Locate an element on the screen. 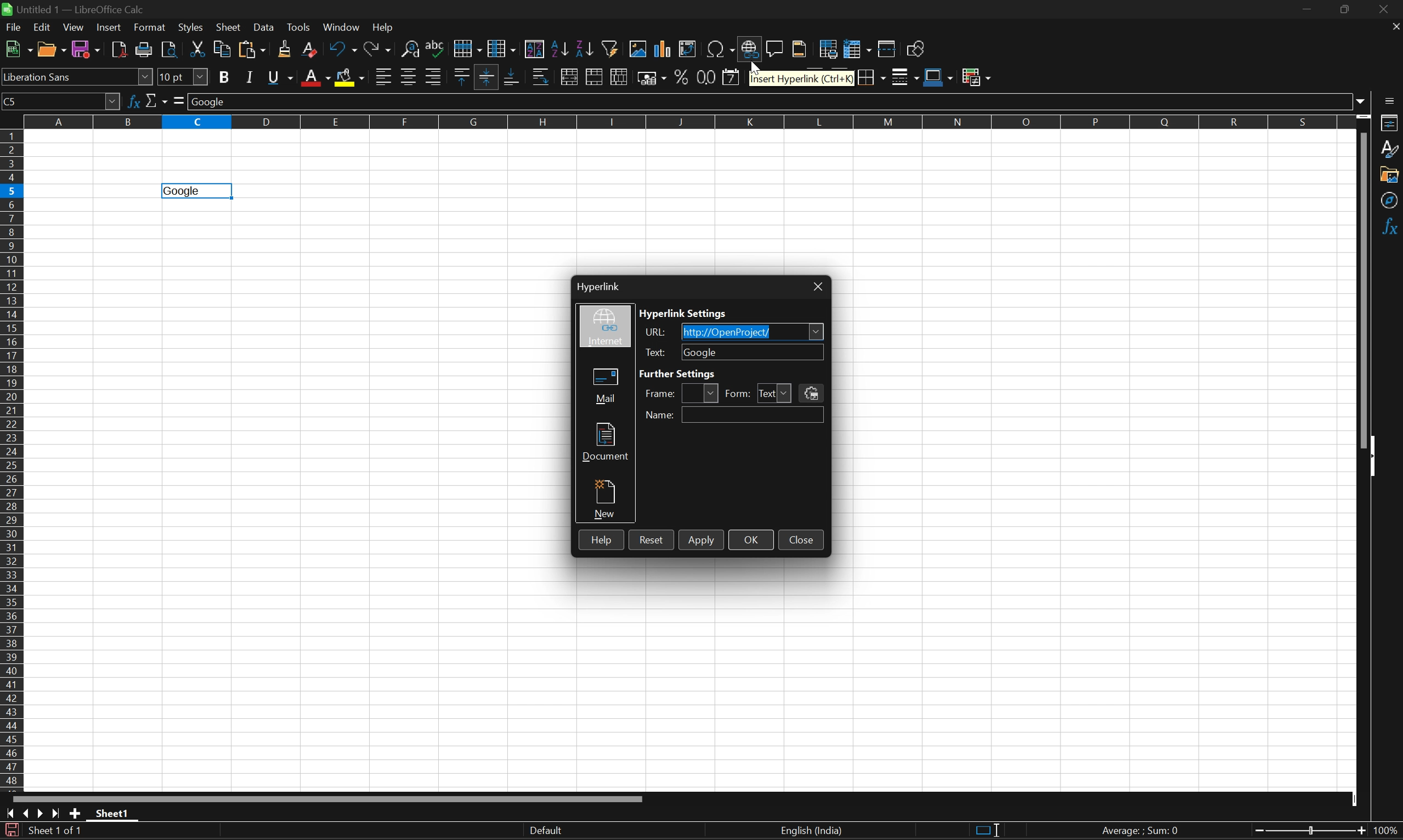 This screenshot has height=840, width=1403. http://OpenProject/ is located at coordinates (730, 332).